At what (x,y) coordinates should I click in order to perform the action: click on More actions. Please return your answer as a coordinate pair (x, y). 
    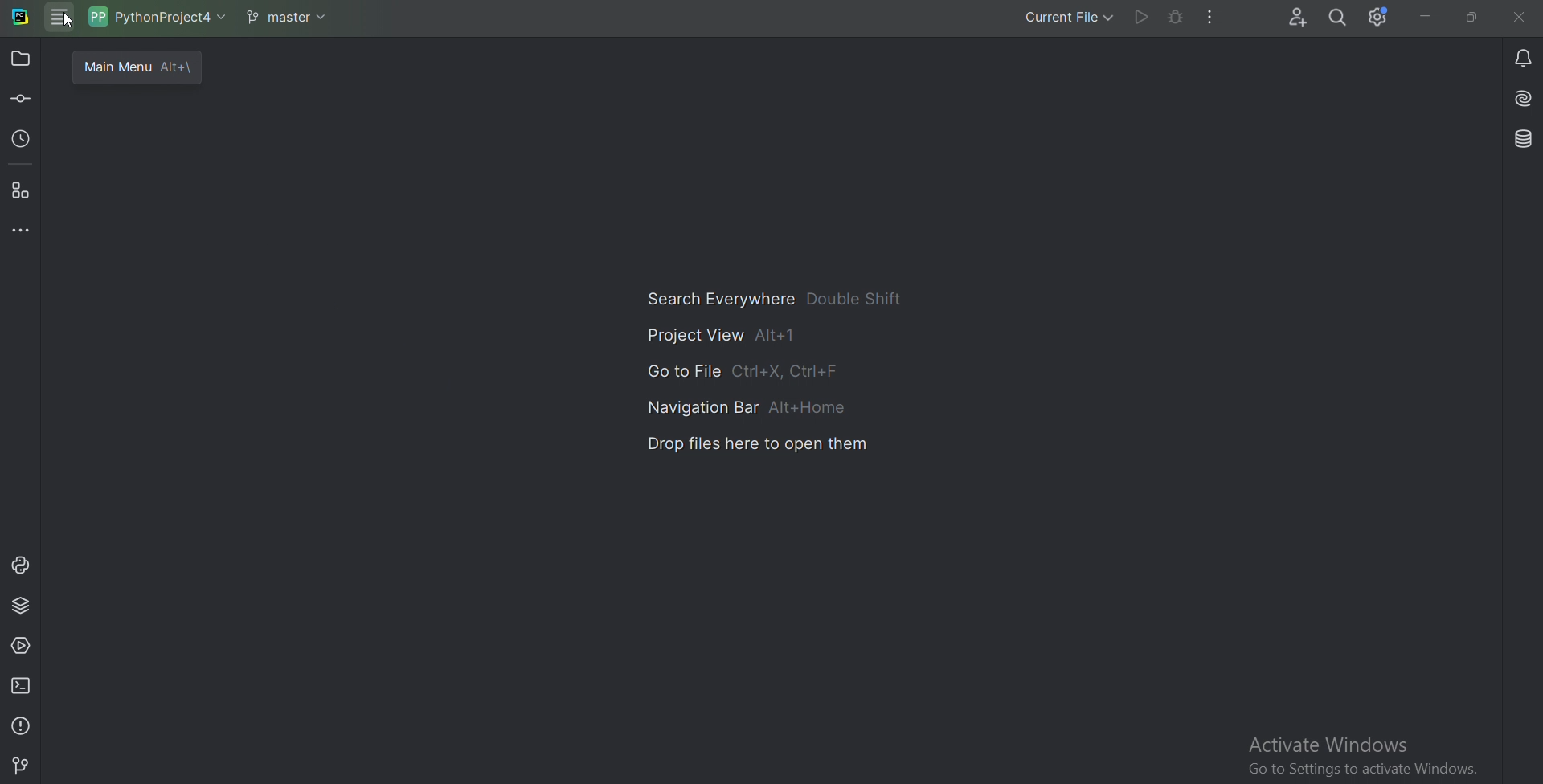
    Looking at the image, I should click on (1212, 18).